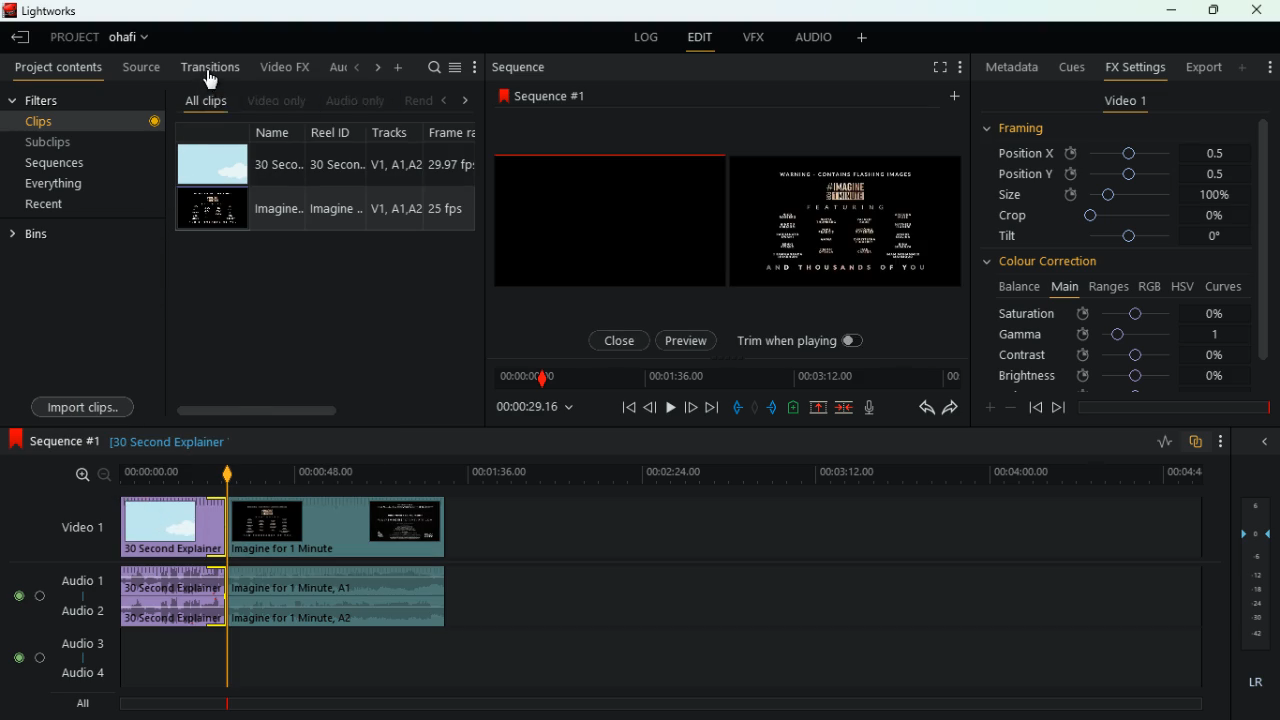  Describe the element at coordinates (650, 407) in the screenshot. I see `back` at that location.